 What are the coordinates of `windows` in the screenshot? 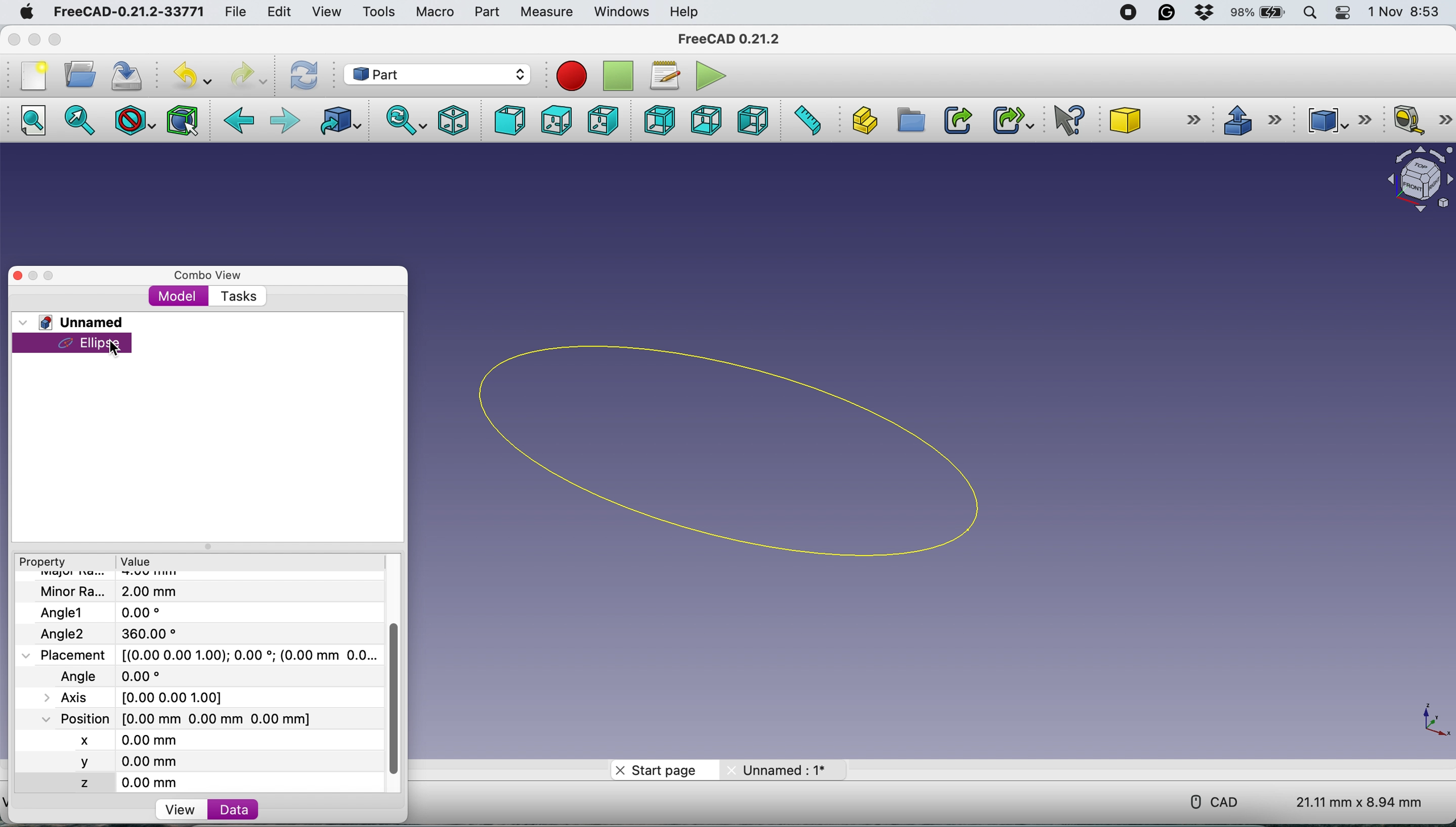 It's located at (618, 11).